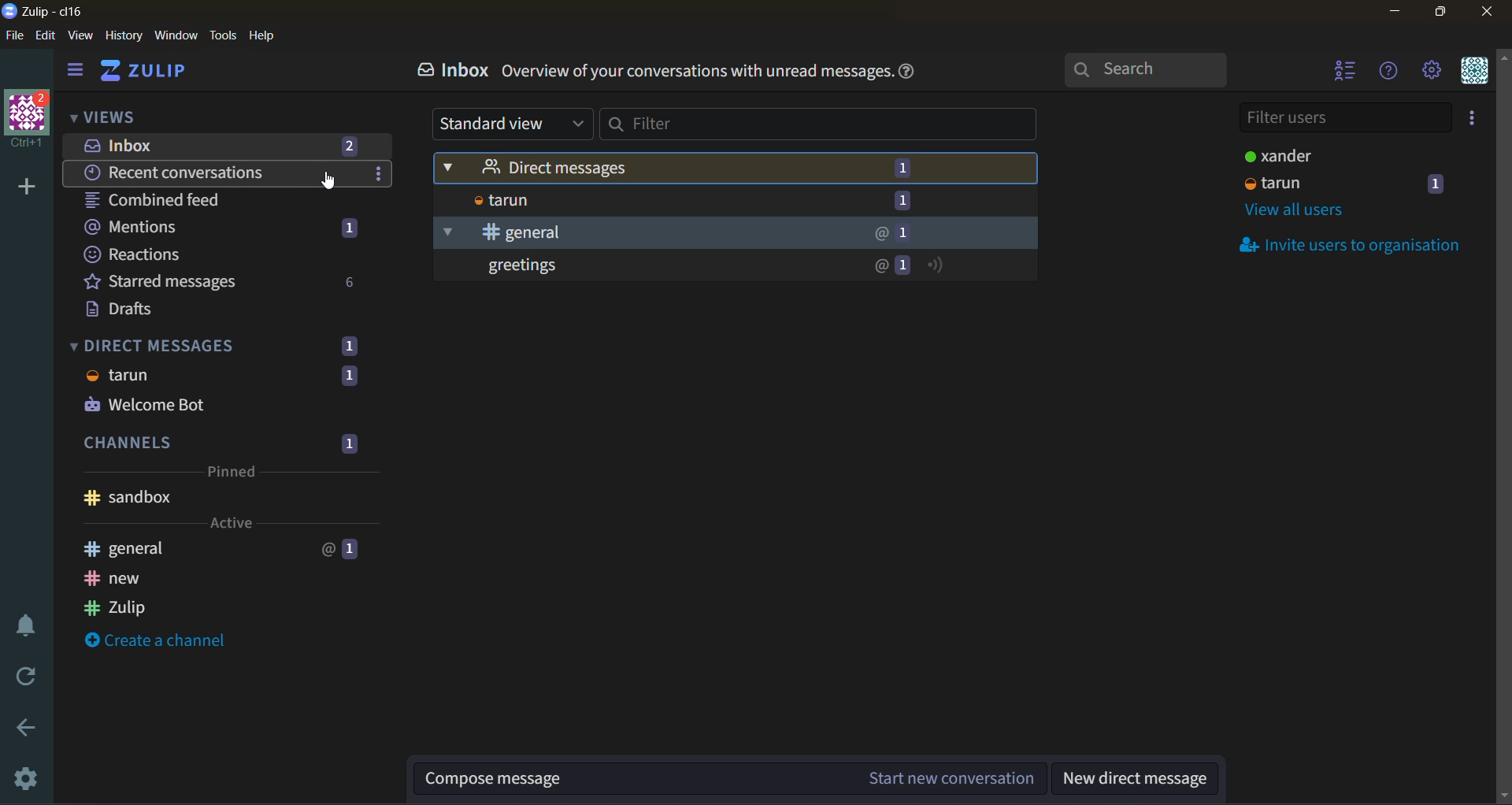  Describe the element at coordinates (1133, 778) in the screenshot. I see `new direct message` at that location.